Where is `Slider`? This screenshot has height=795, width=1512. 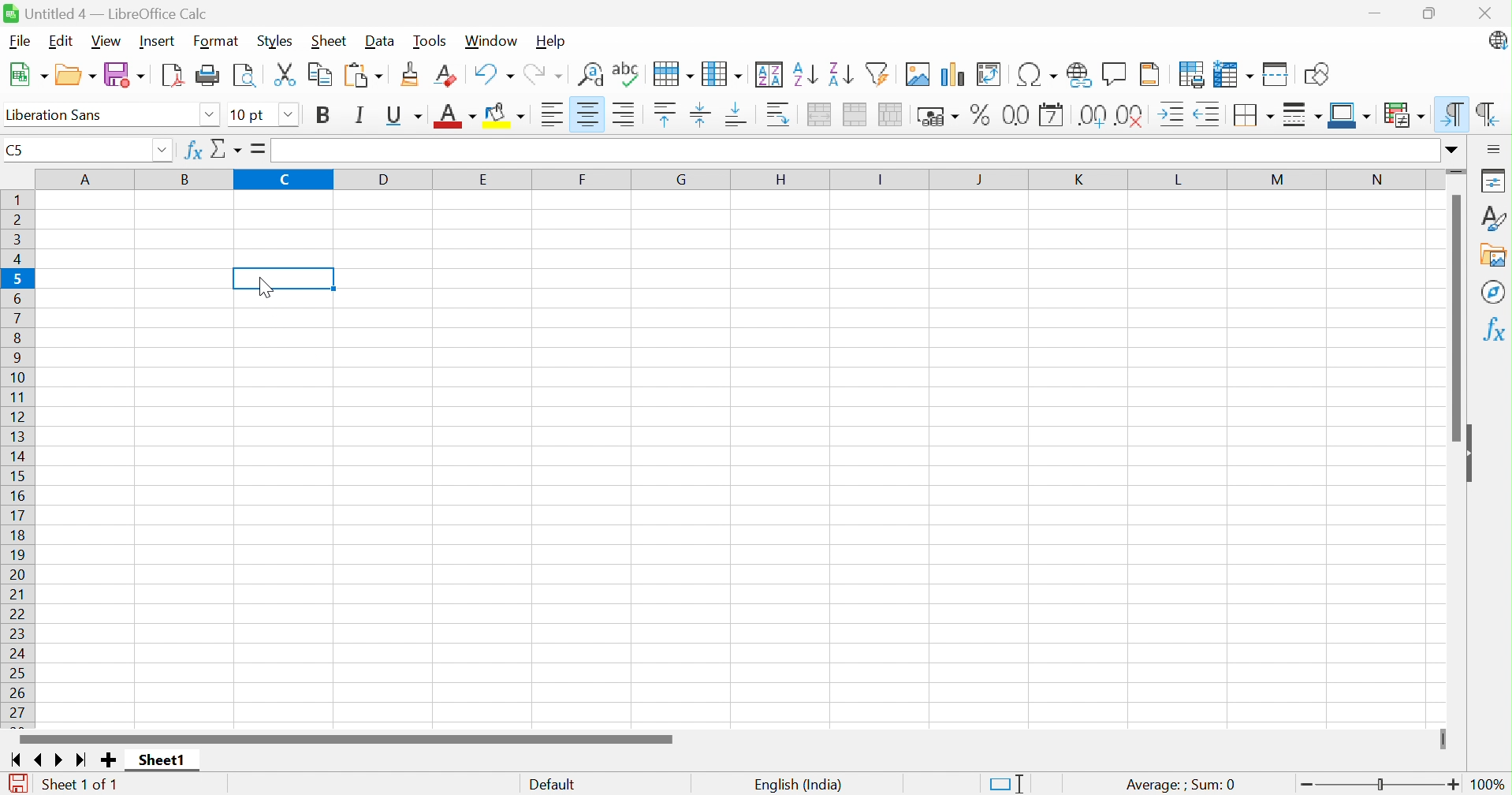 Slider is located at coordinates (1458, 172).